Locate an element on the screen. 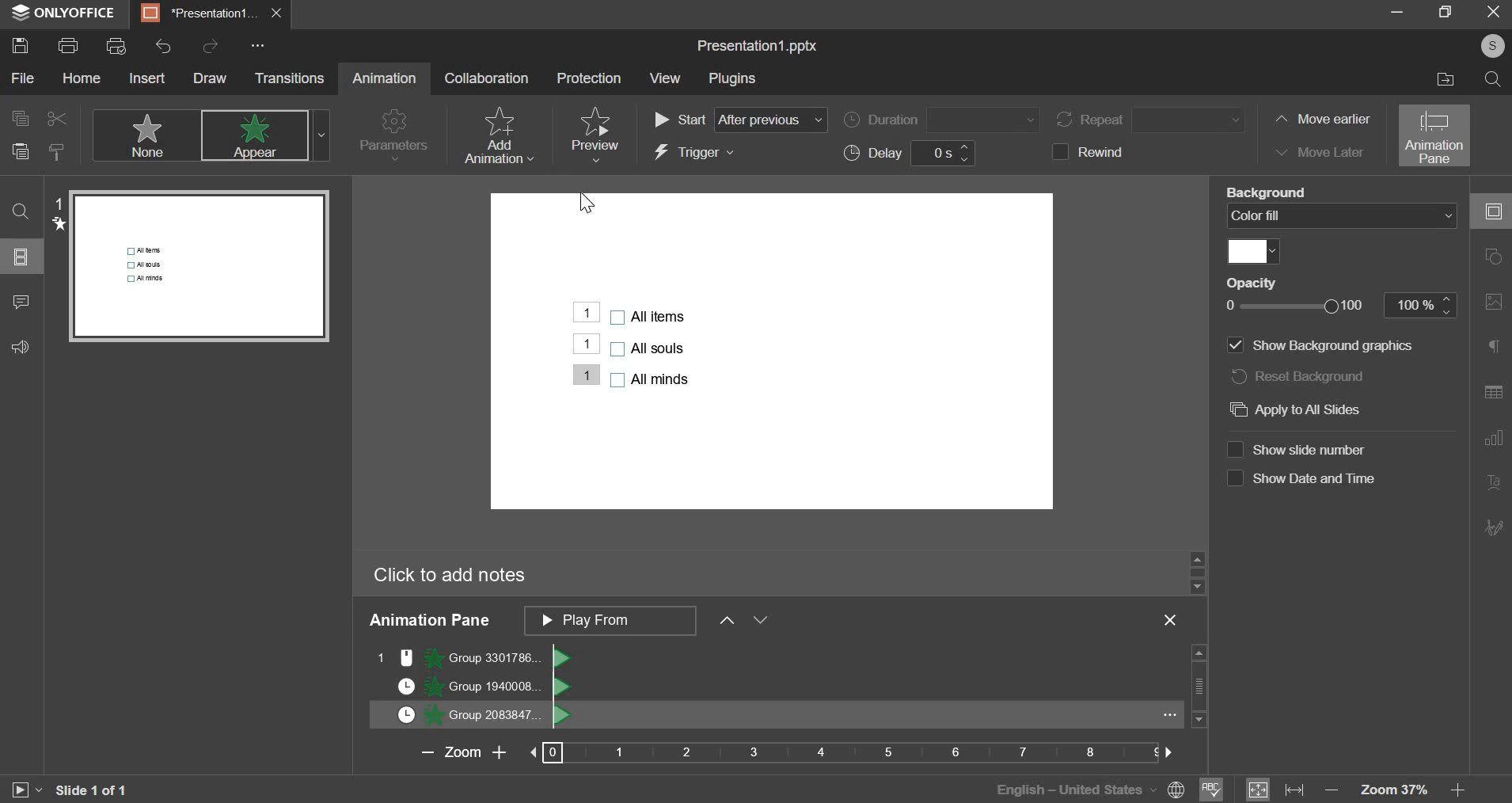  1 is located at coordinates (586, 344).